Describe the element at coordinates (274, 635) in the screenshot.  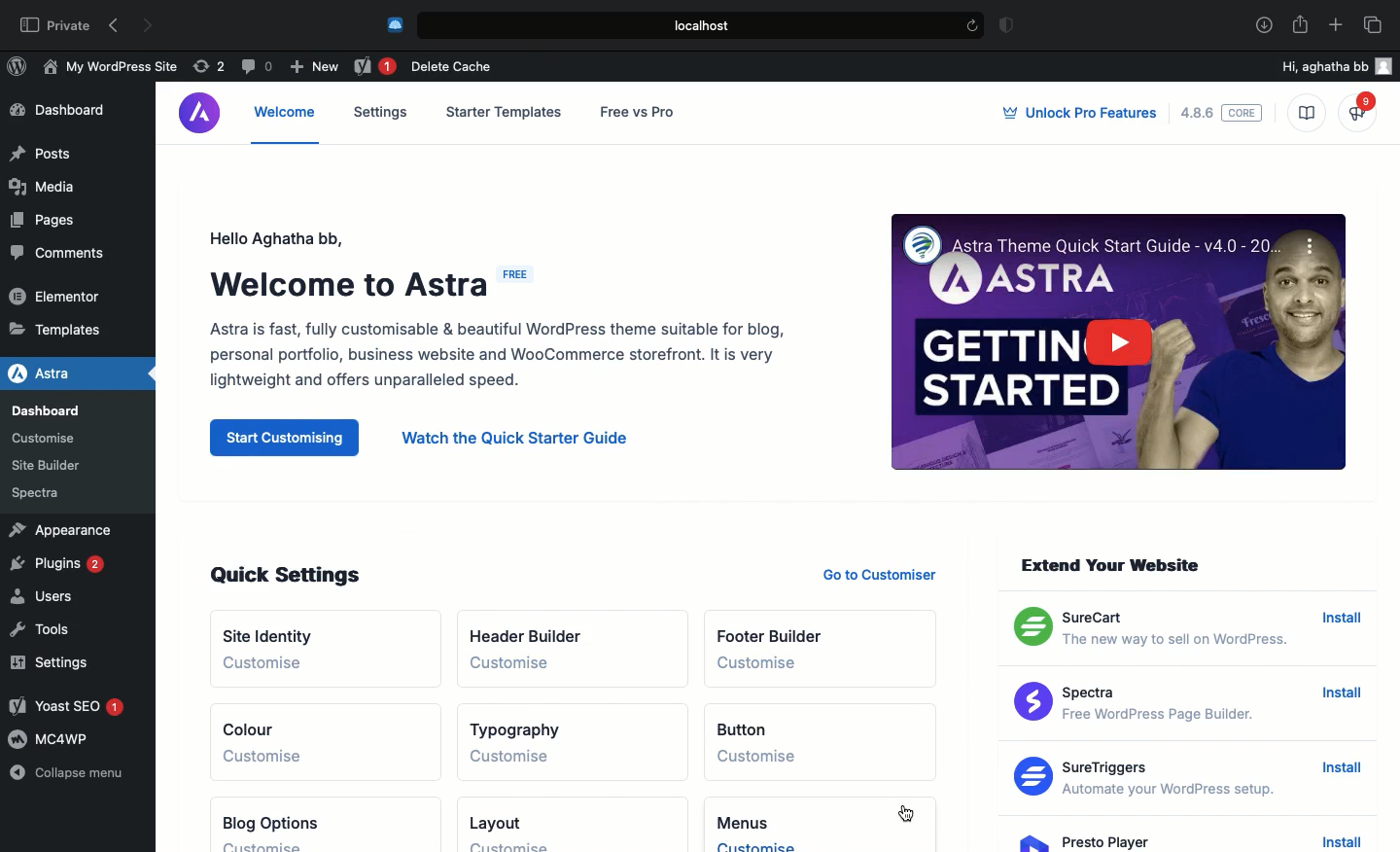
I see `Site identity` at that location.